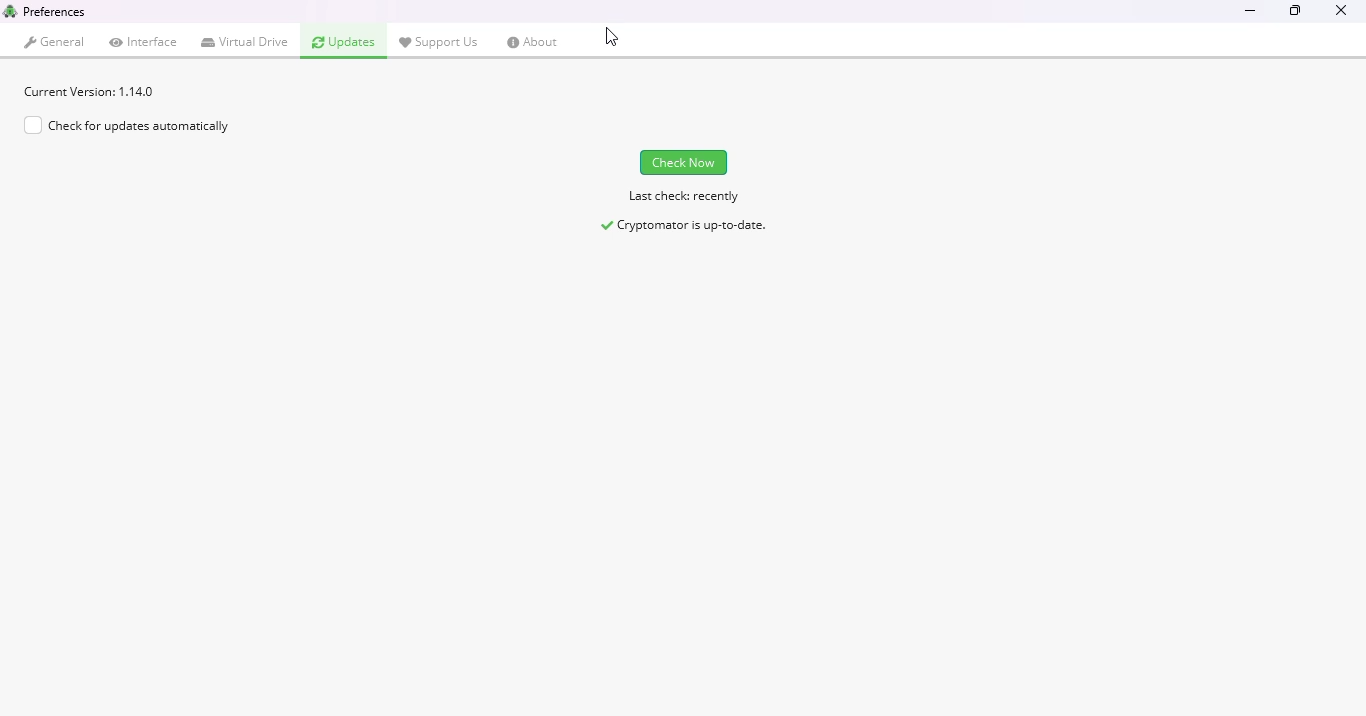 The height and width of the screenshot is (716, 1366). What do you see at coordinates (684, 162) in the screenshot?
I see `check now` at bounding box center [684, 162].